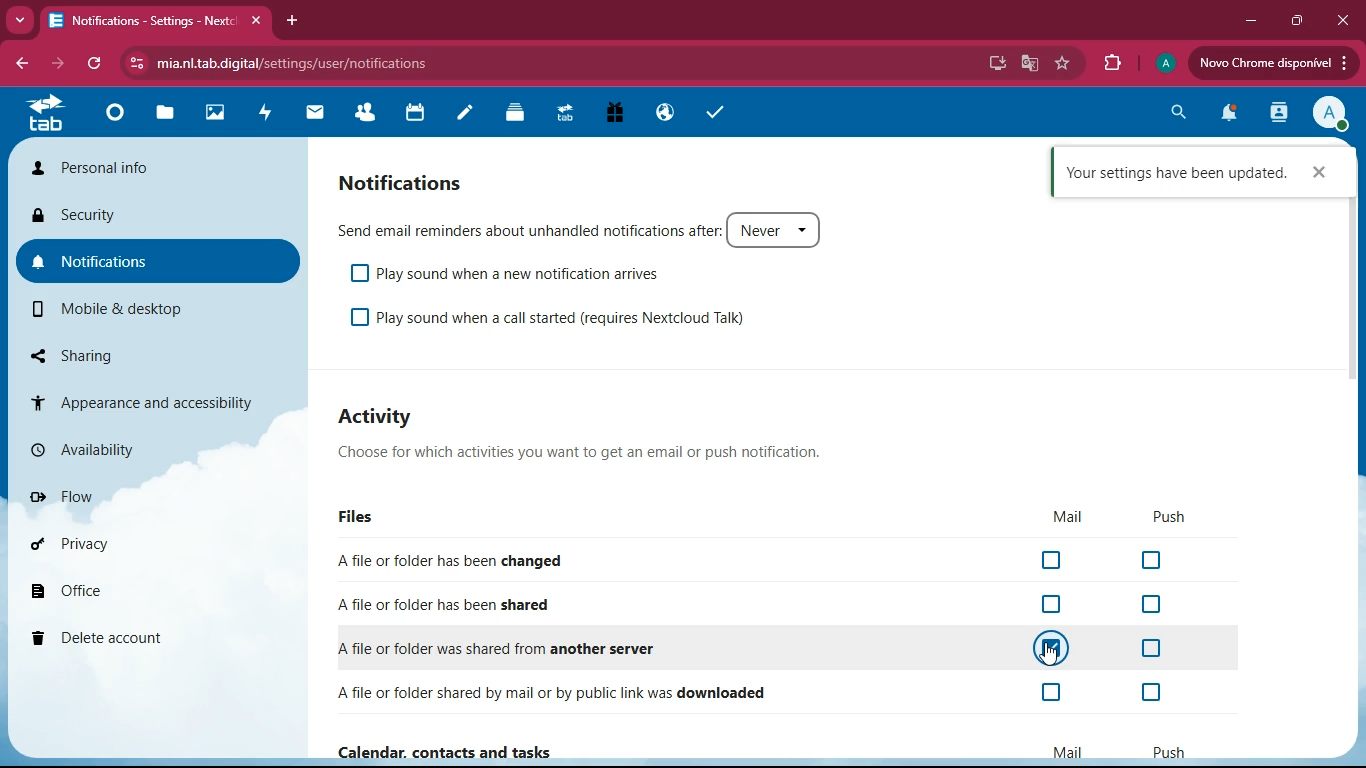  Describe the element at coordinates (1168, 750) in the screenshot. I see `push` at that location.